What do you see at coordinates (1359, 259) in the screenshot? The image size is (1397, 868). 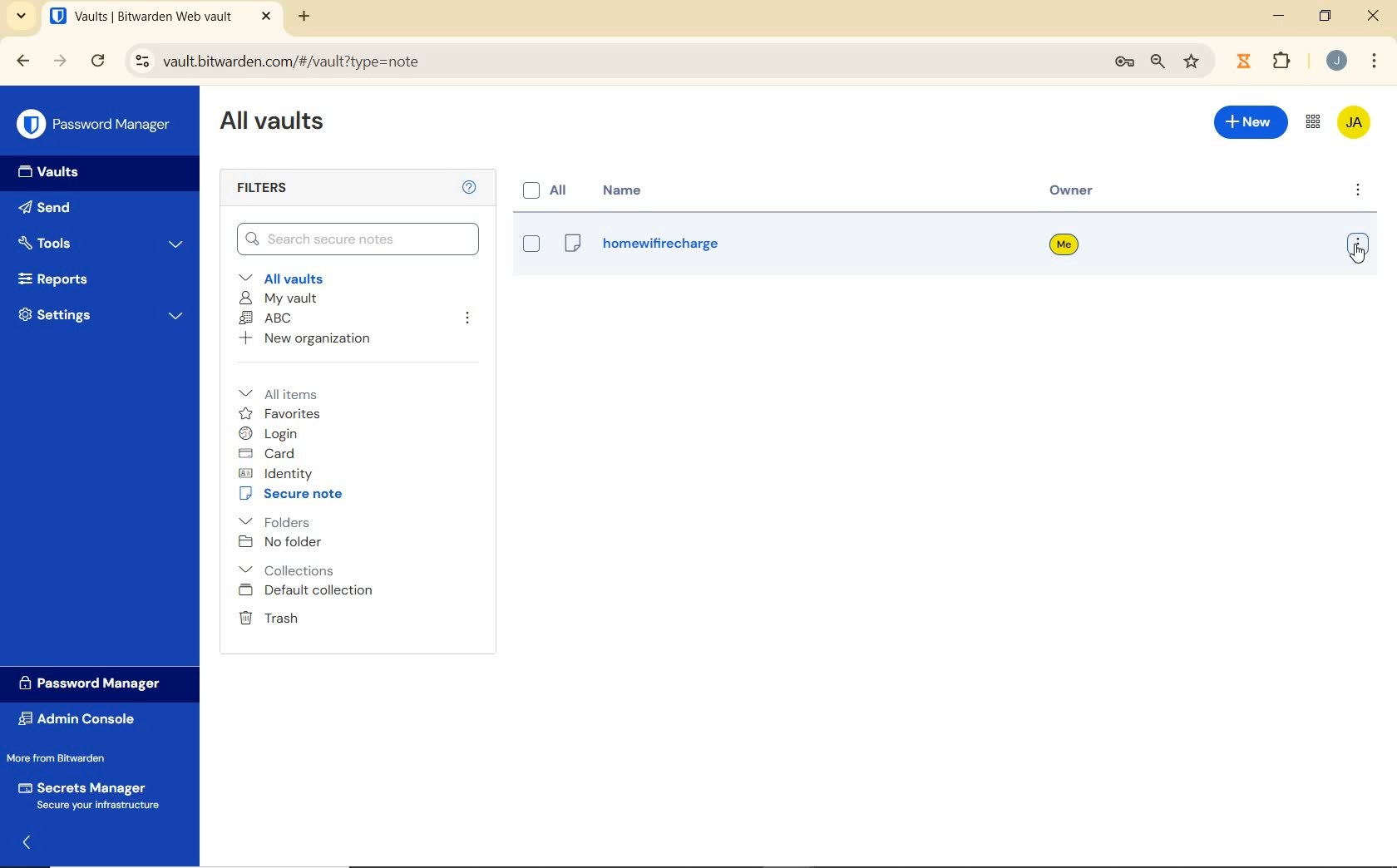 I see `Mouse Cursor` at bounding box center [1359, 259].